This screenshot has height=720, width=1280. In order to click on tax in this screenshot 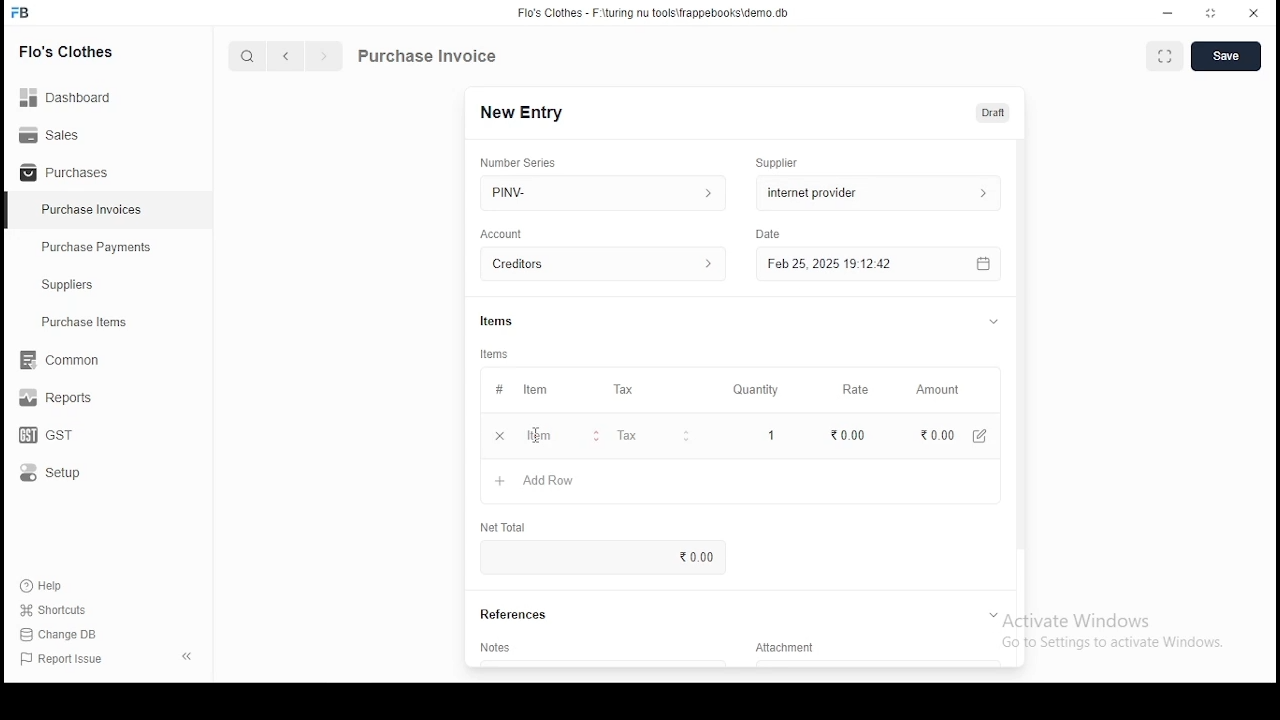, I will do `click(623, 390)`.